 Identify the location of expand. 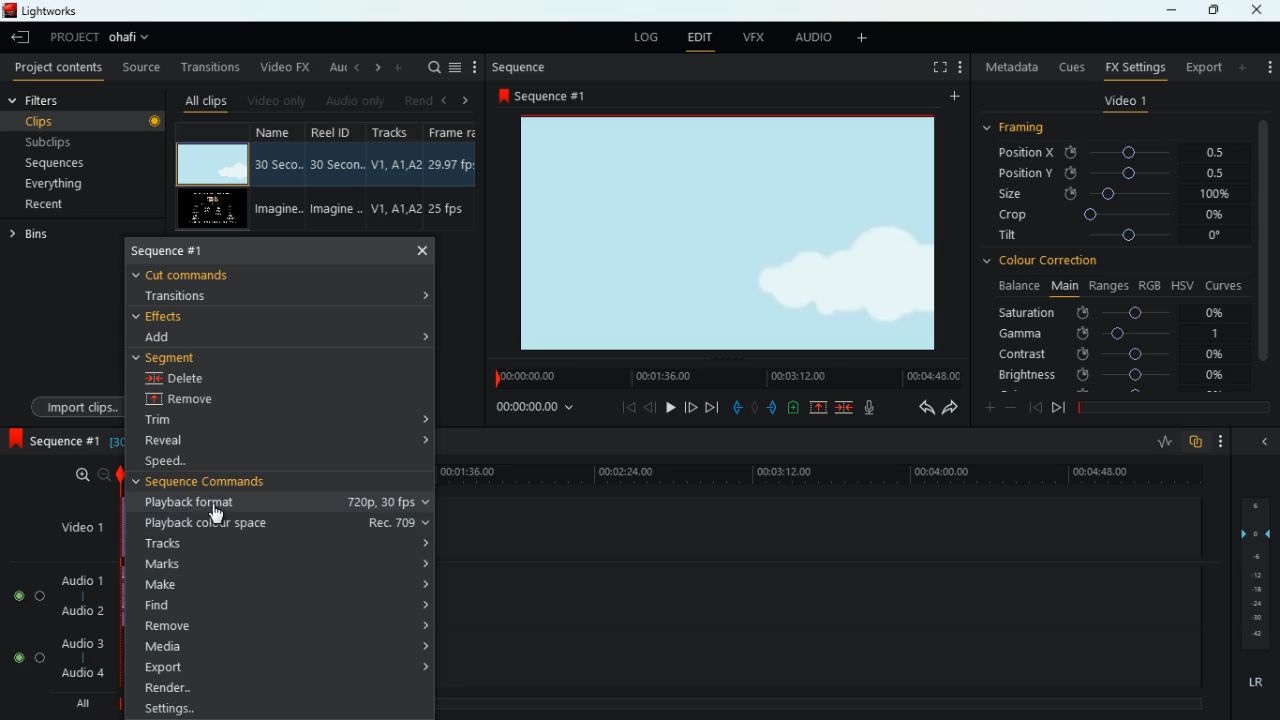
(422, 293).